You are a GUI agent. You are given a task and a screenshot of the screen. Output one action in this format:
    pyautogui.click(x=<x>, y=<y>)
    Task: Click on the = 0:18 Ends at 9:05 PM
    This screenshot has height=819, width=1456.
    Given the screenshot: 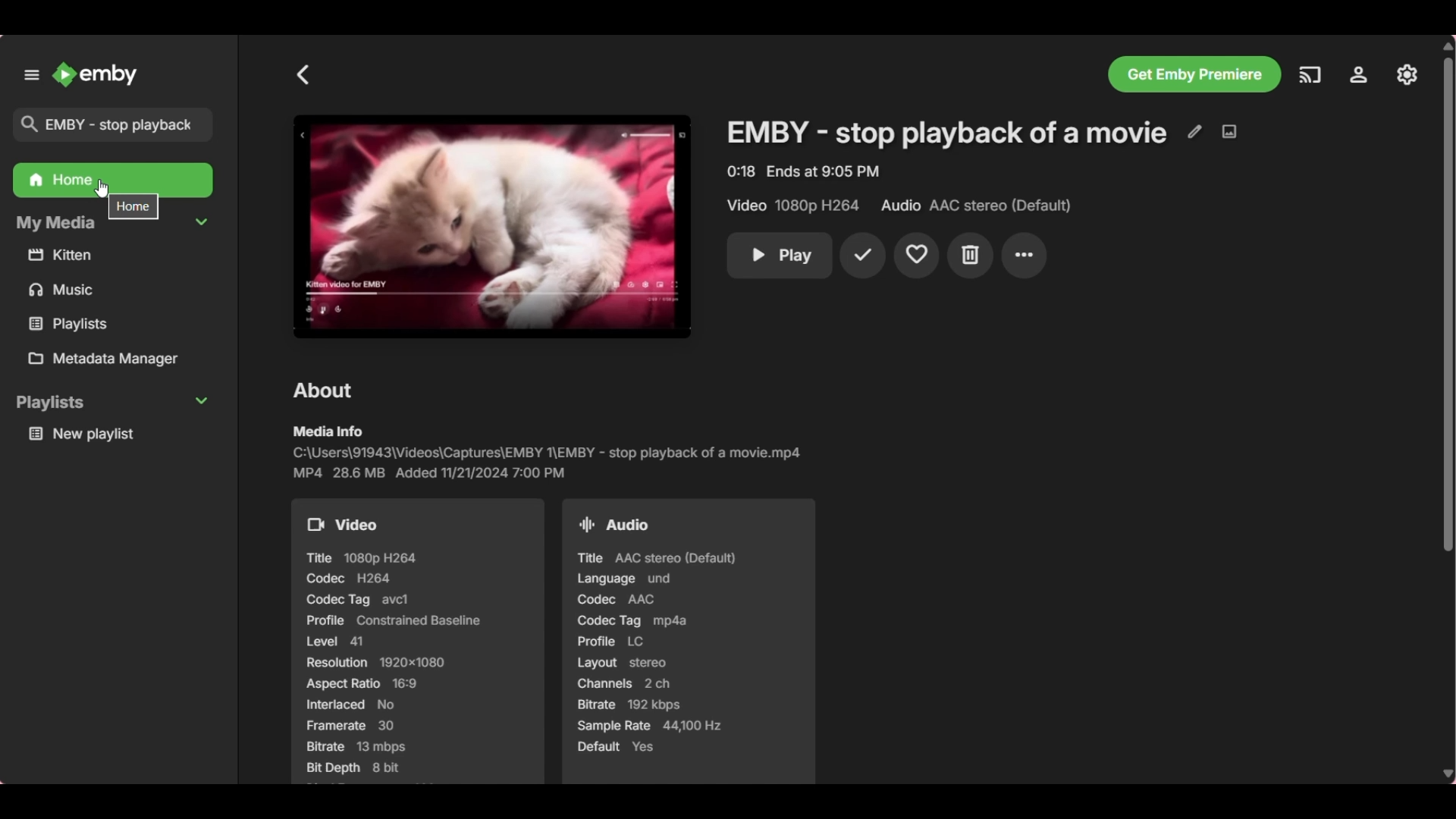 What is the action you would take?
    pyautogui.click(x=809, y=170)
    